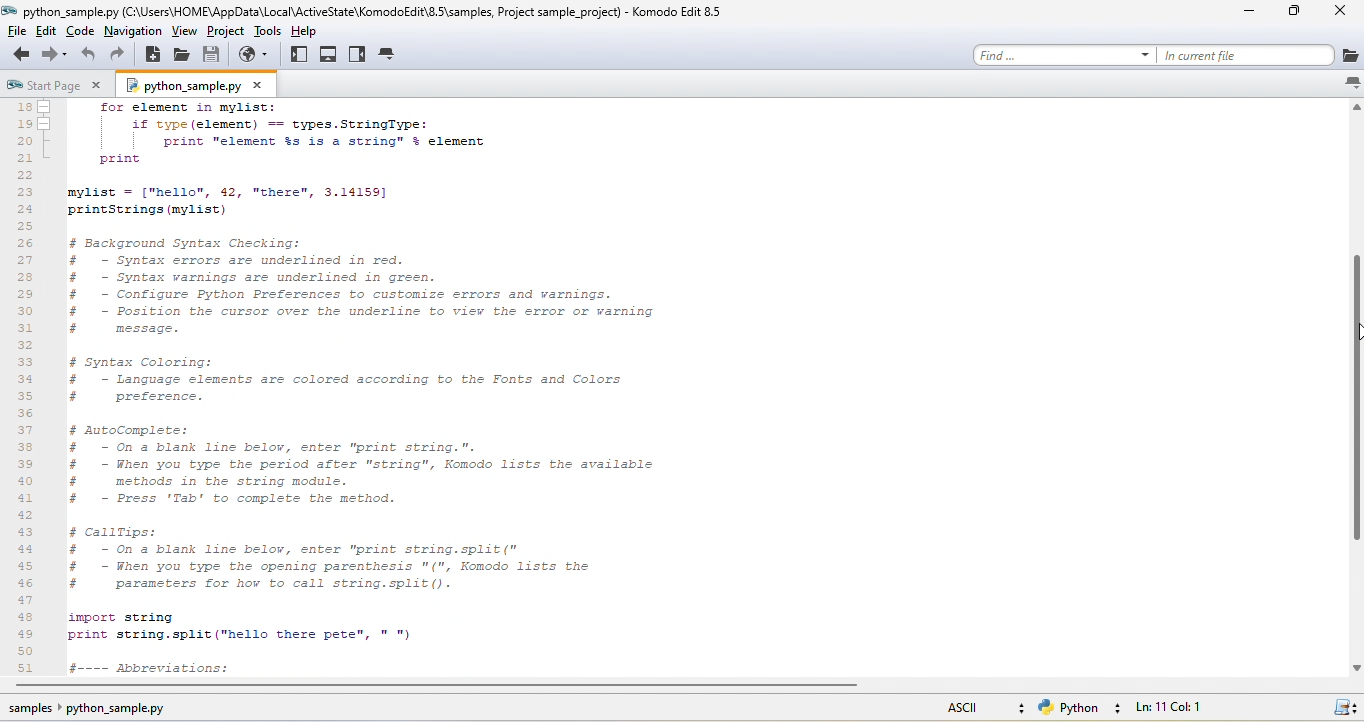  Describe the element at coordinates (184, 31) in the screenshot. I see `view` at that location.